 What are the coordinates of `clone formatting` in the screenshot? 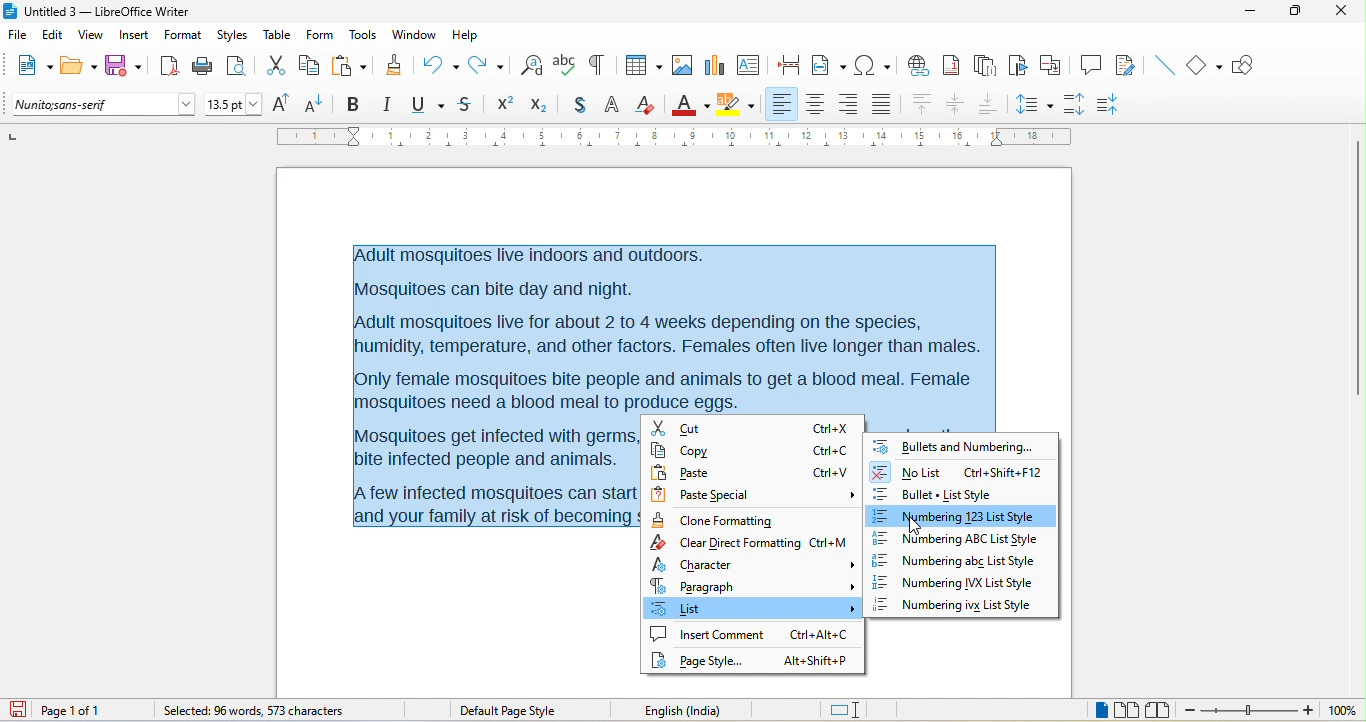 It's located at (714, 520).